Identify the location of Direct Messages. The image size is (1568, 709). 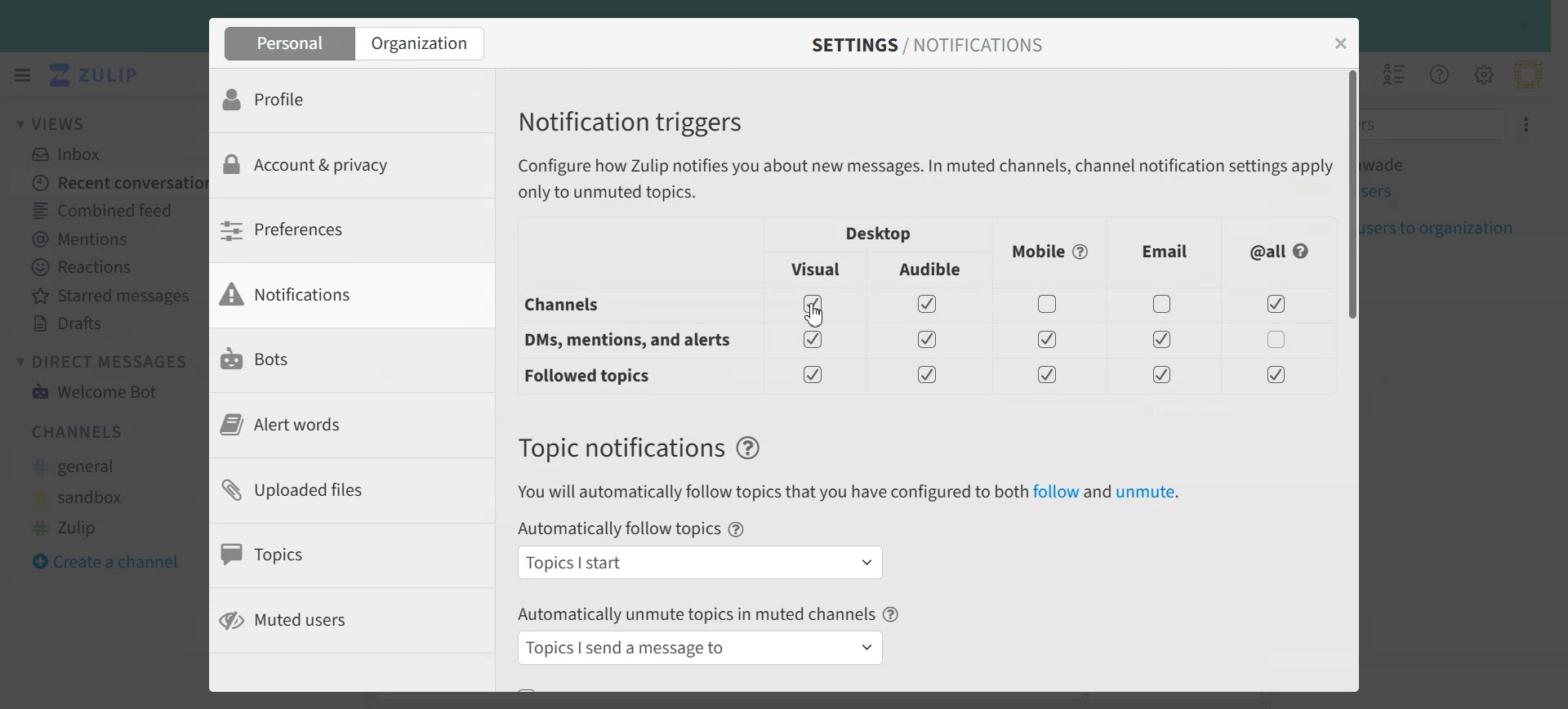
(107, 361).